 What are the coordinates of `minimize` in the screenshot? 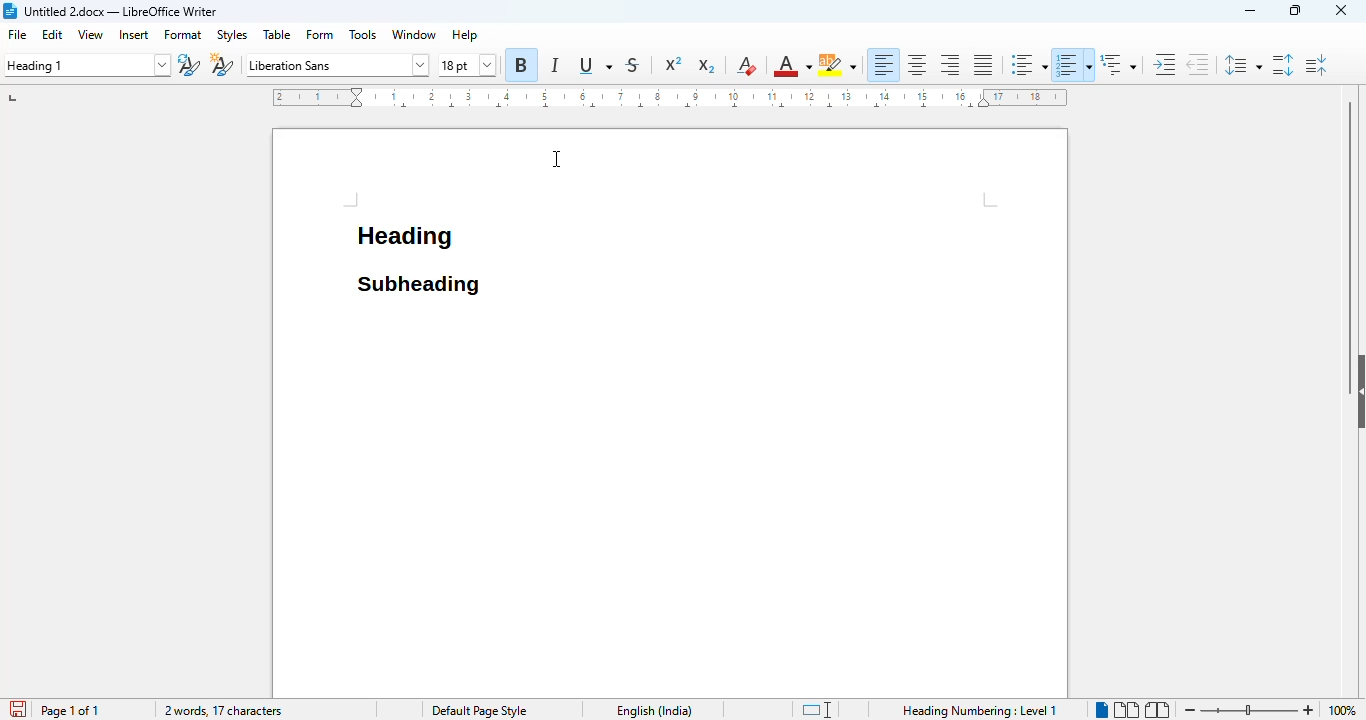 It's located at (1251, 11).